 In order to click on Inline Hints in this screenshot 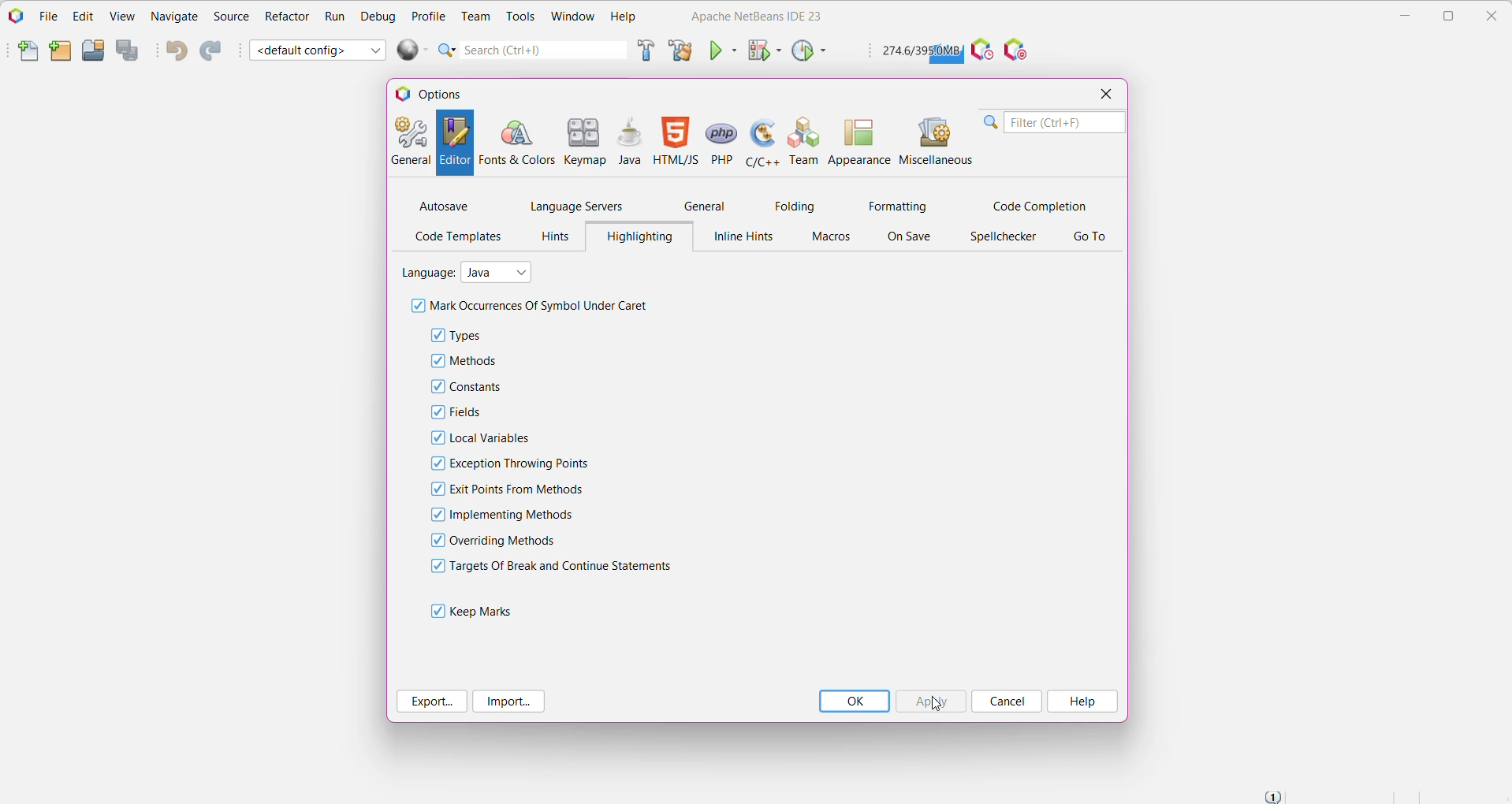, I will do `click(746, 238)`.